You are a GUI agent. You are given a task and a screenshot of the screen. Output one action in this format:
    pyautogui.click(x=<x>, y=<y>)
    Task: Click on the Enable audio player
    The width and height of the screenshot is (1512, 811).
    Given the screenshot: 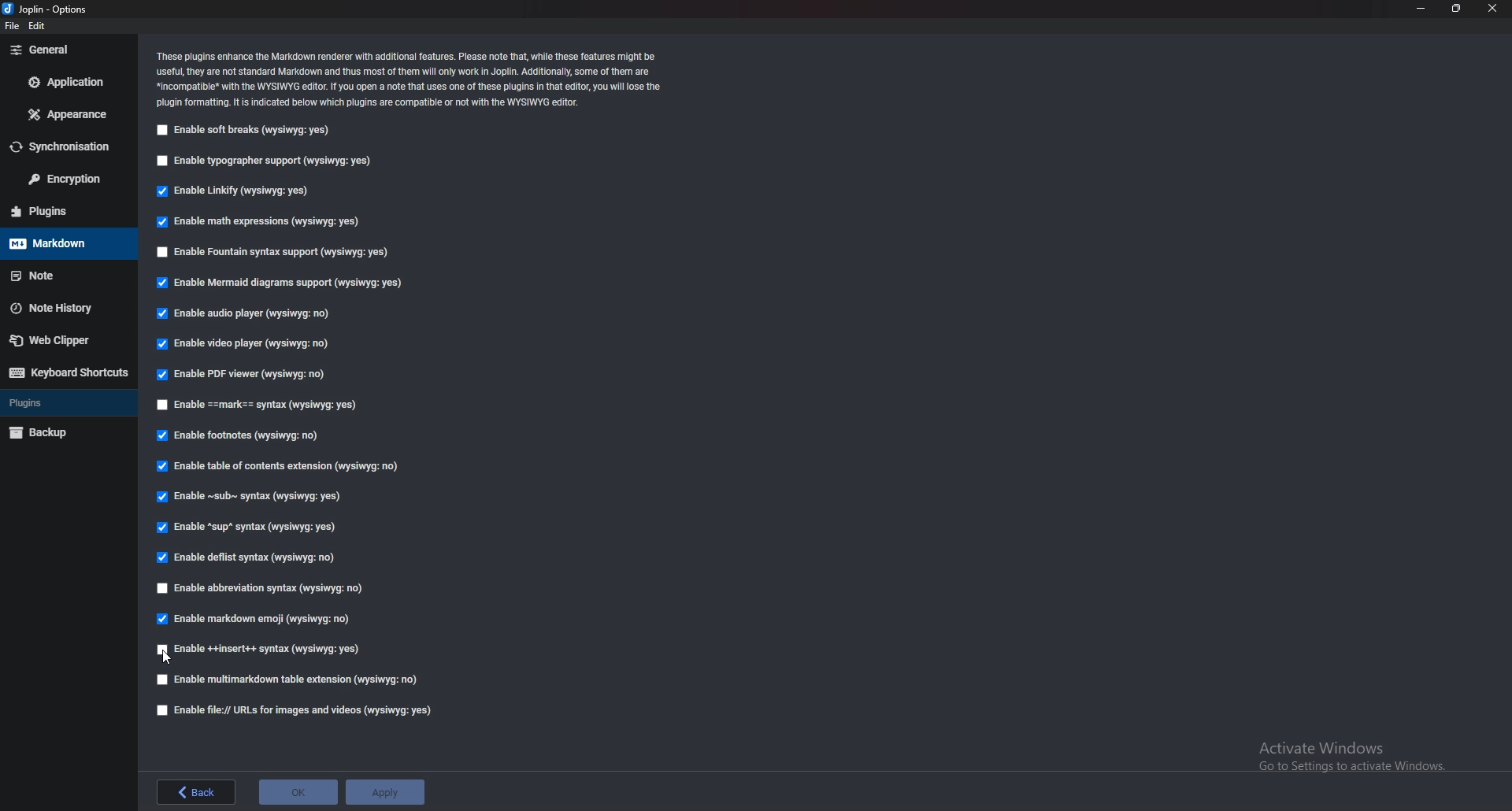 What is the action you would take?
    pyautogui.click(x=244, y=314)
    